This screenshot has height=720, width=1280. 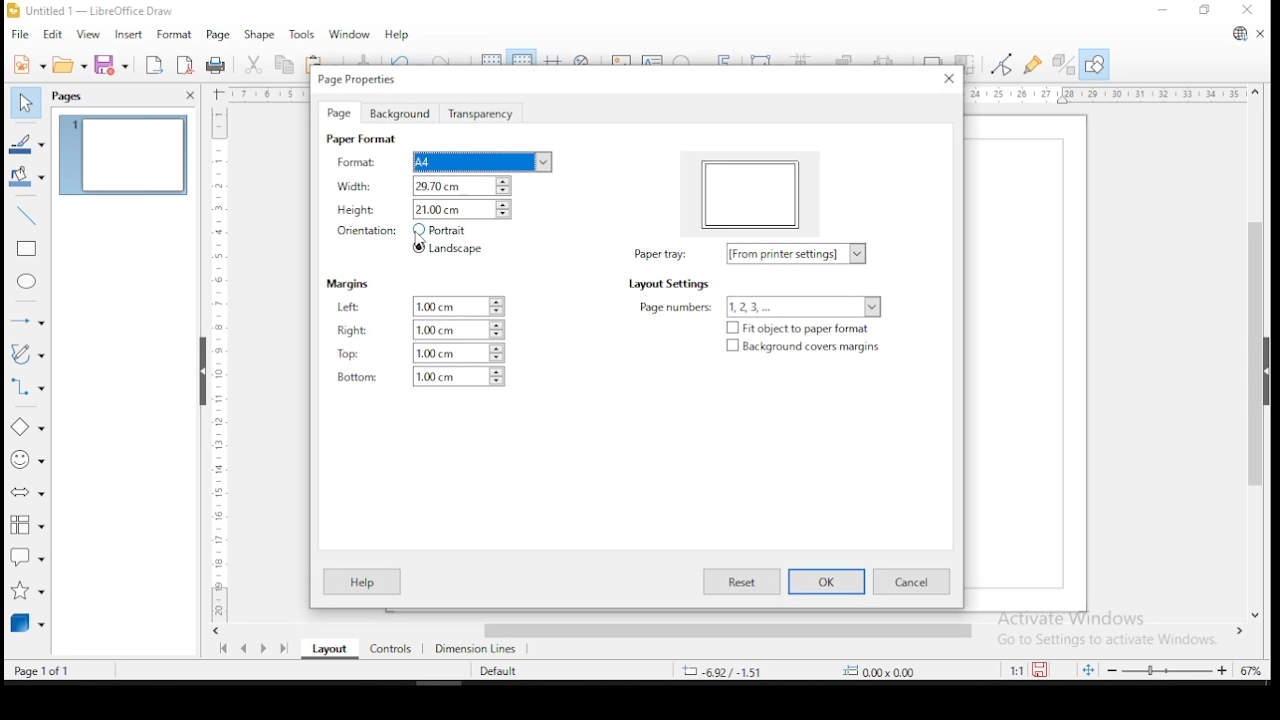 I want to click on zoom factor, so click(x=1252, y=669).